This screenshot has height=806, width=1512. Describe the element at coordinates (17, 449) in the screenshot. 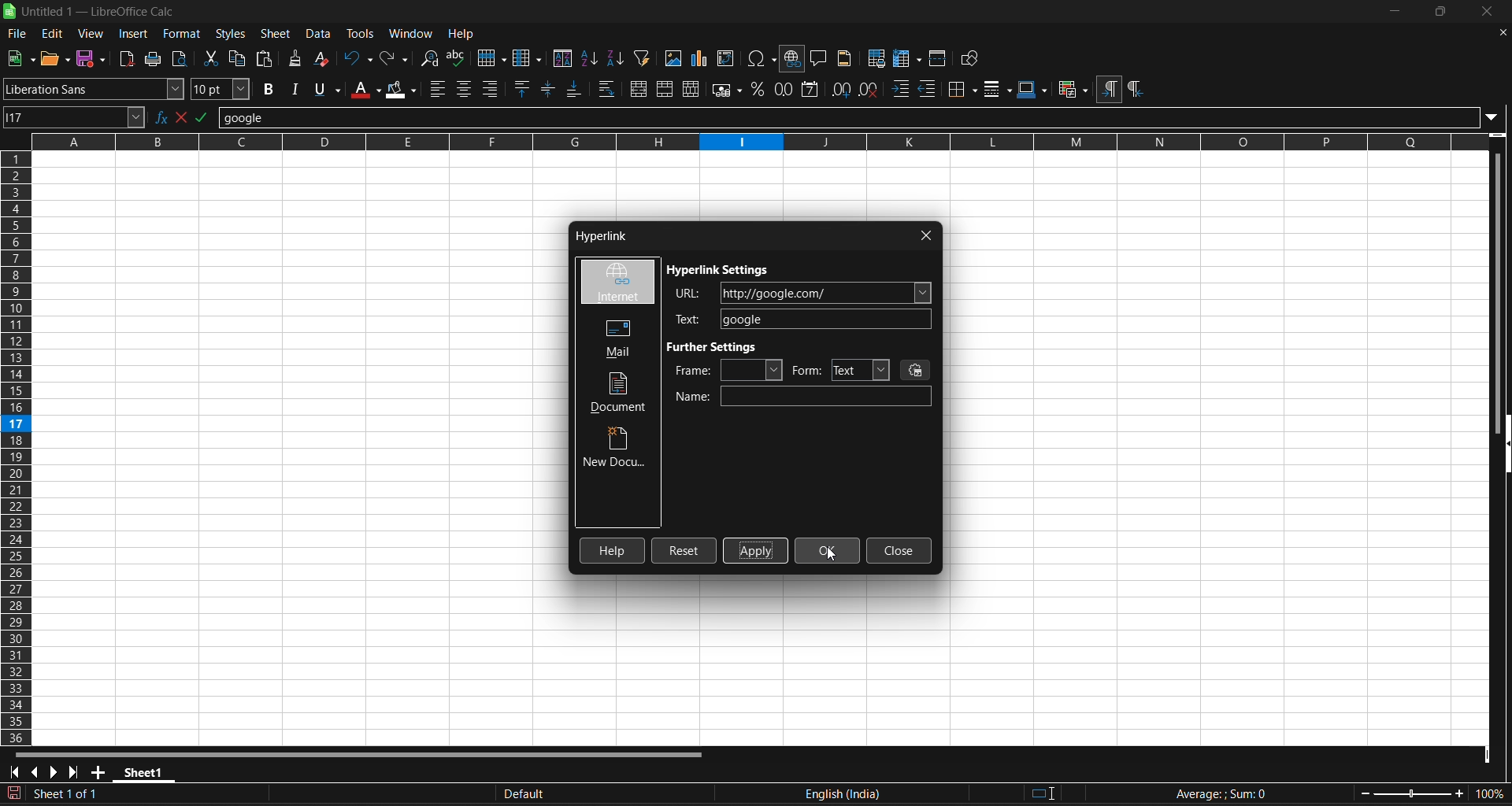

I see `columns` at that location.